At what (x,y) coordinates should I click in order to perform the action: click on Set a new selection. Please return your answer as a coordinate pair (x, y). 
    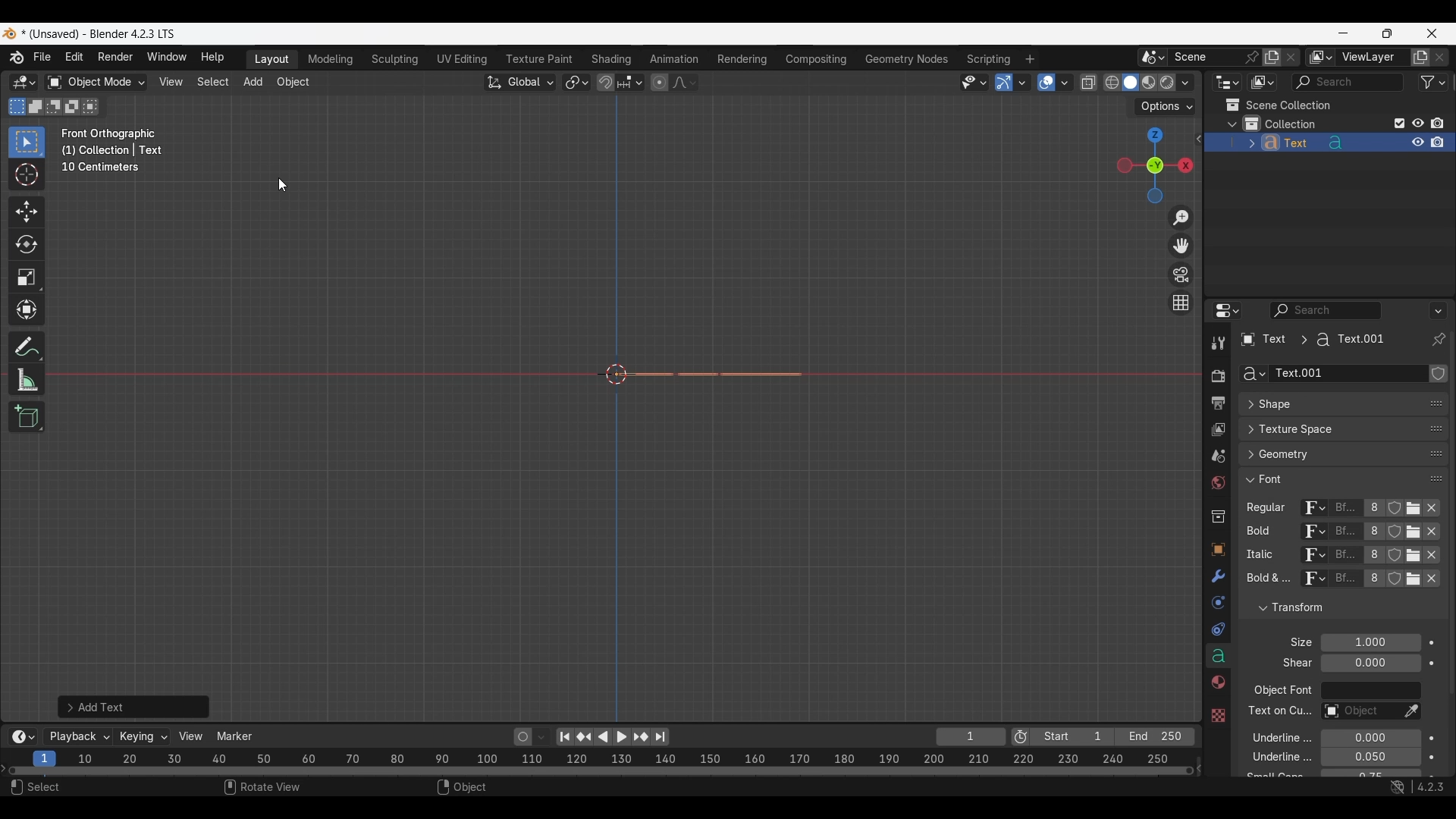
    Looking at the image, I should click on (17, 106).